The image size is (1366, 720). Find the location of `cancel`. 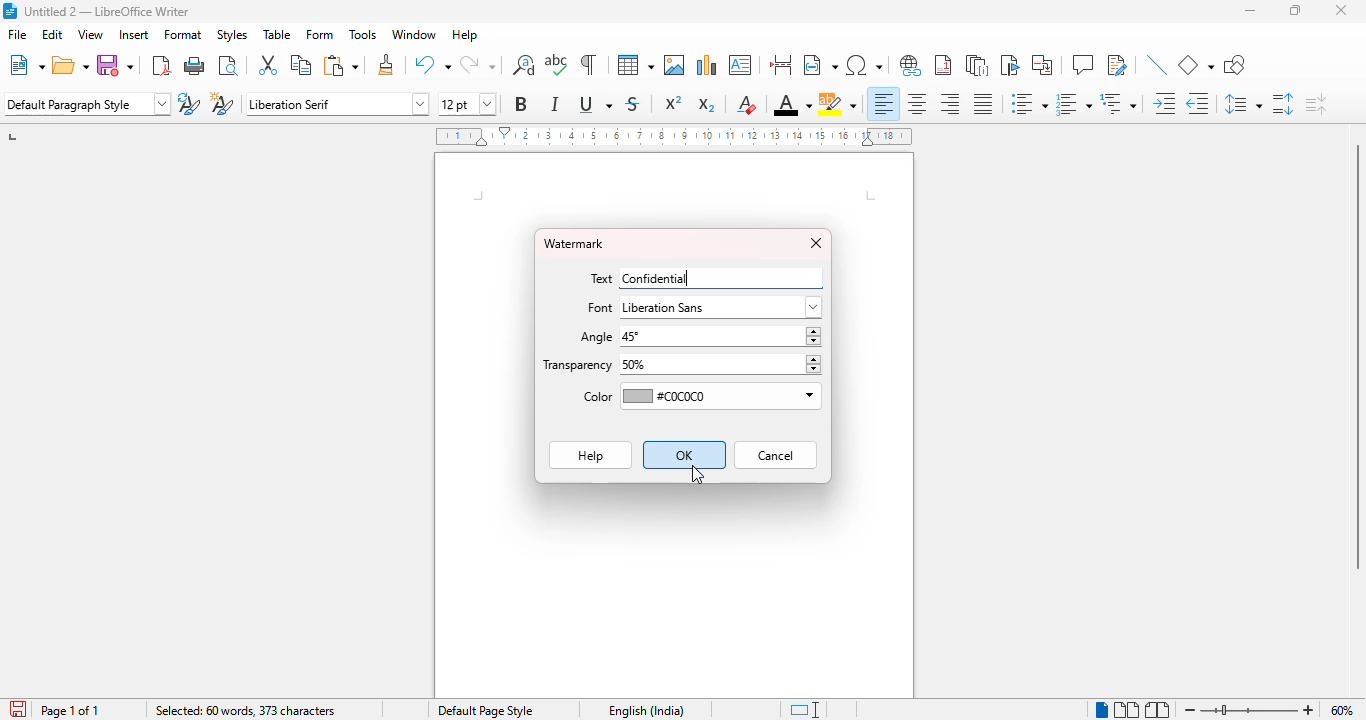

cancel is located at coordinates (776, 455).